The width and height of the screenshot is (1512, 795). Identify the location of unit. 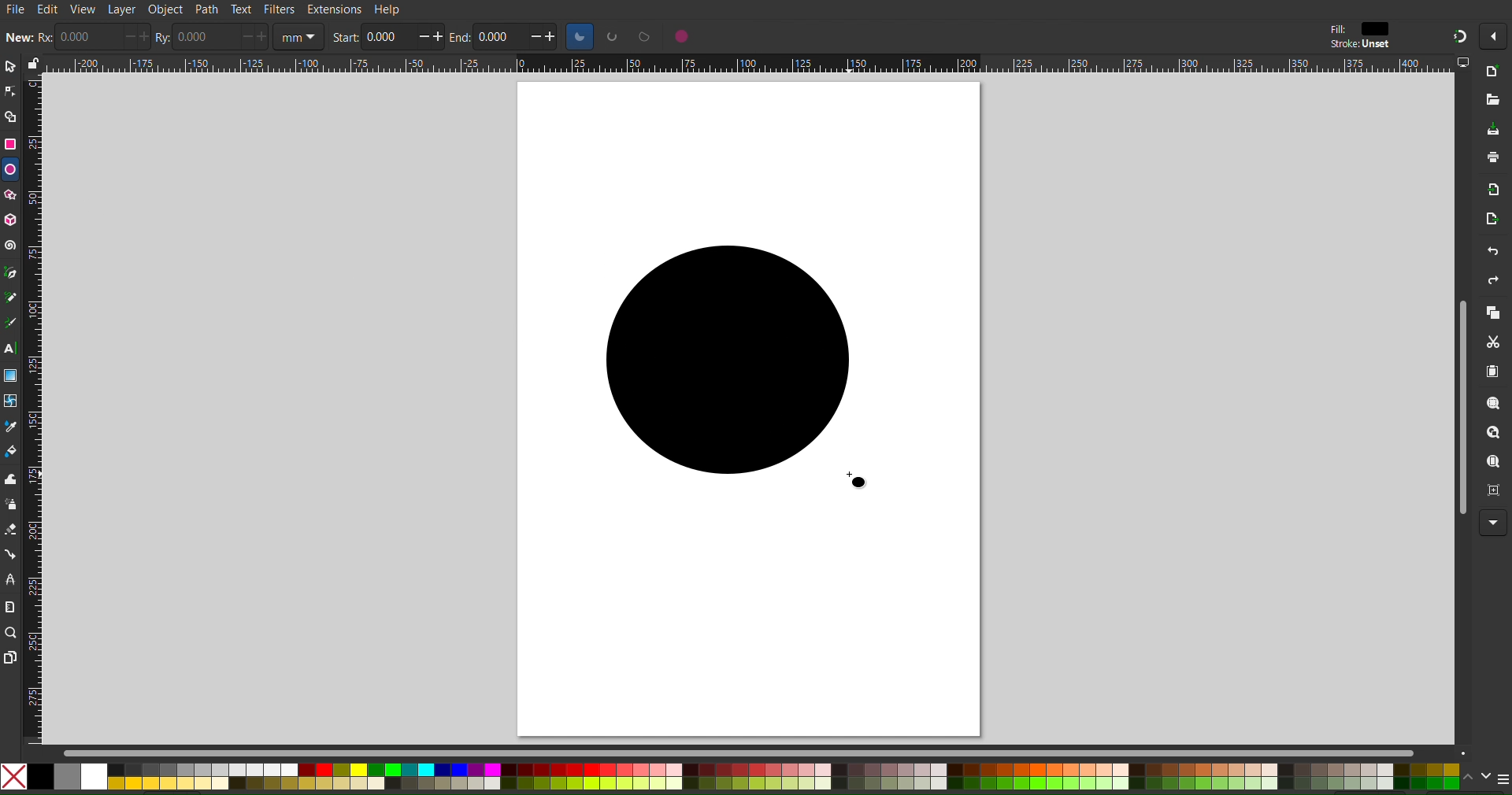
(296, 35).